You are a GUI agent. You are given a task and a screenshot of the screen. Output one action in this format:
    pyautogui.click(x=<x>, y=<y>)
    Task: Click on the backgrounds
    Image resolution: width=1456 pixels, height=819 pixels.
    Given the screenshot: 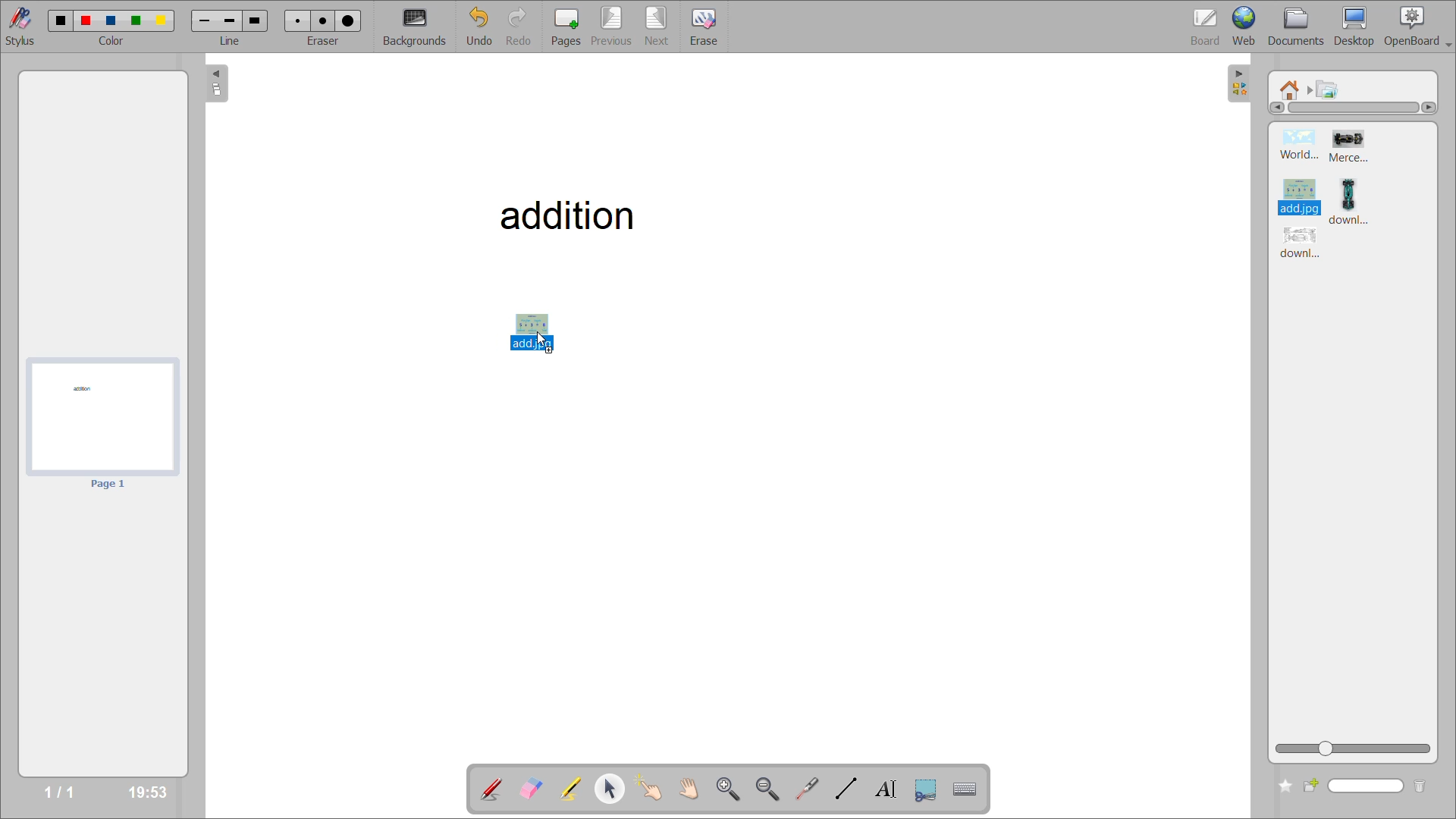 What is the action you would take?
    pyautogui.click(x=421, y=27)
    